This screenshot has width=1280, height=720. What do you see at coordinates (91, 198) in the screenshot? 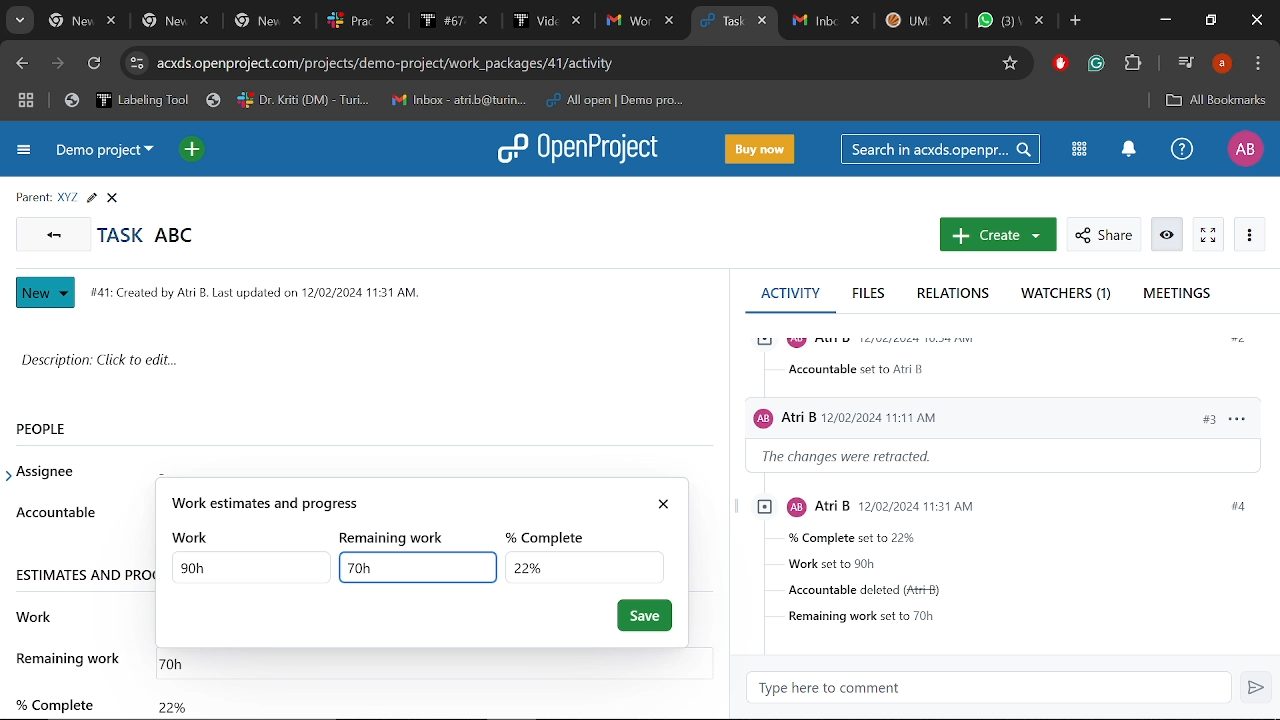
I see `Edit` at bounding box center [91, 198].